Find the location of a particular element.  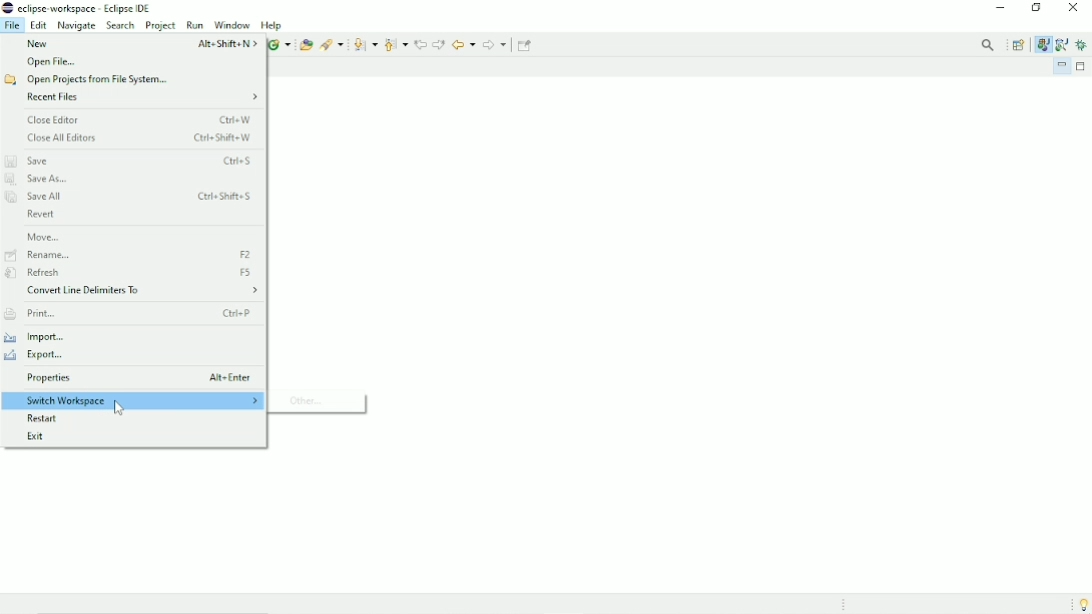

New is located at coordinates (139, 43).